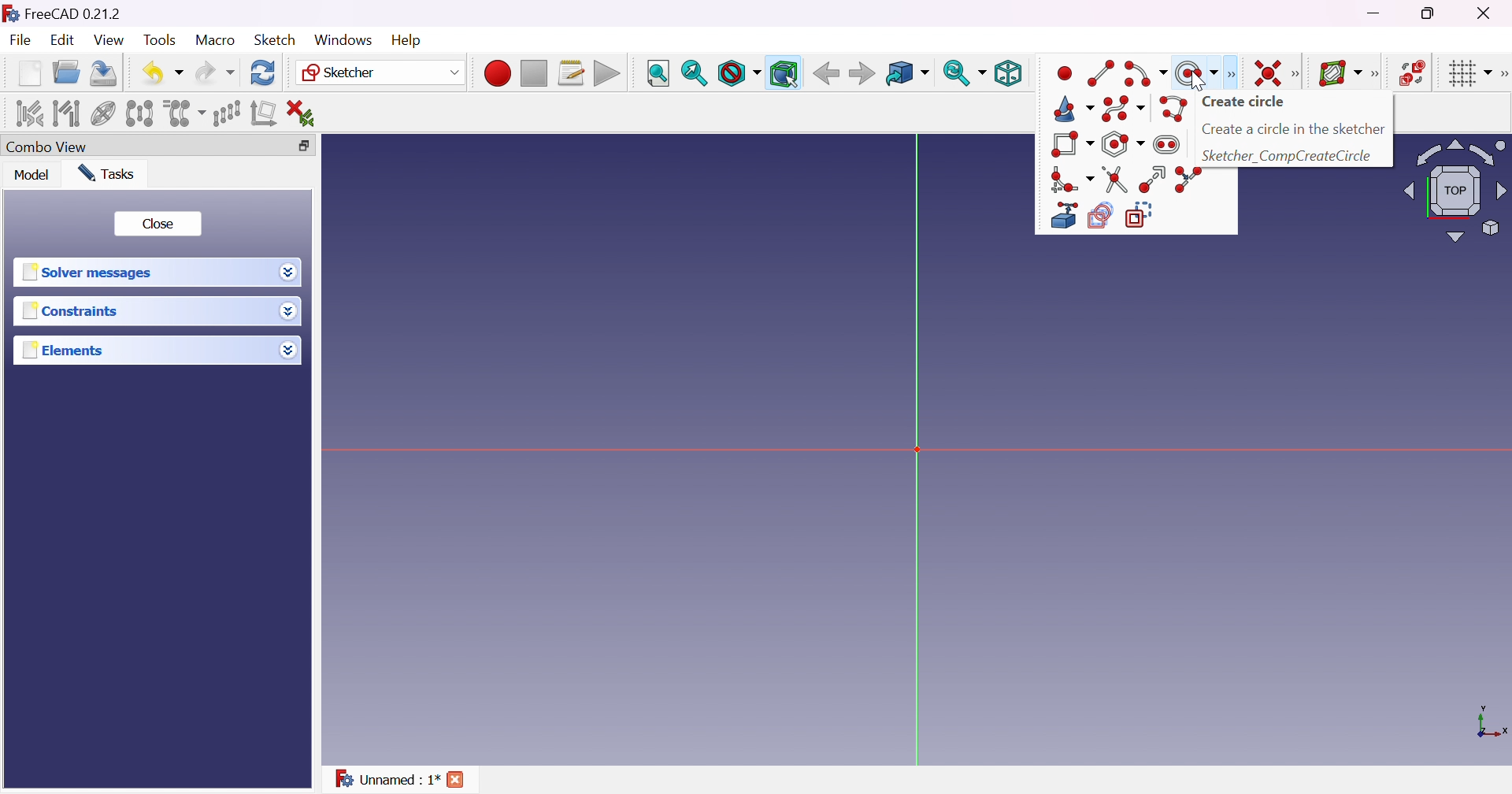 The image size is (1512, 794). Describe the element at coordinates (1247, 102) in the screenshot. I see `Create circle` at that location.